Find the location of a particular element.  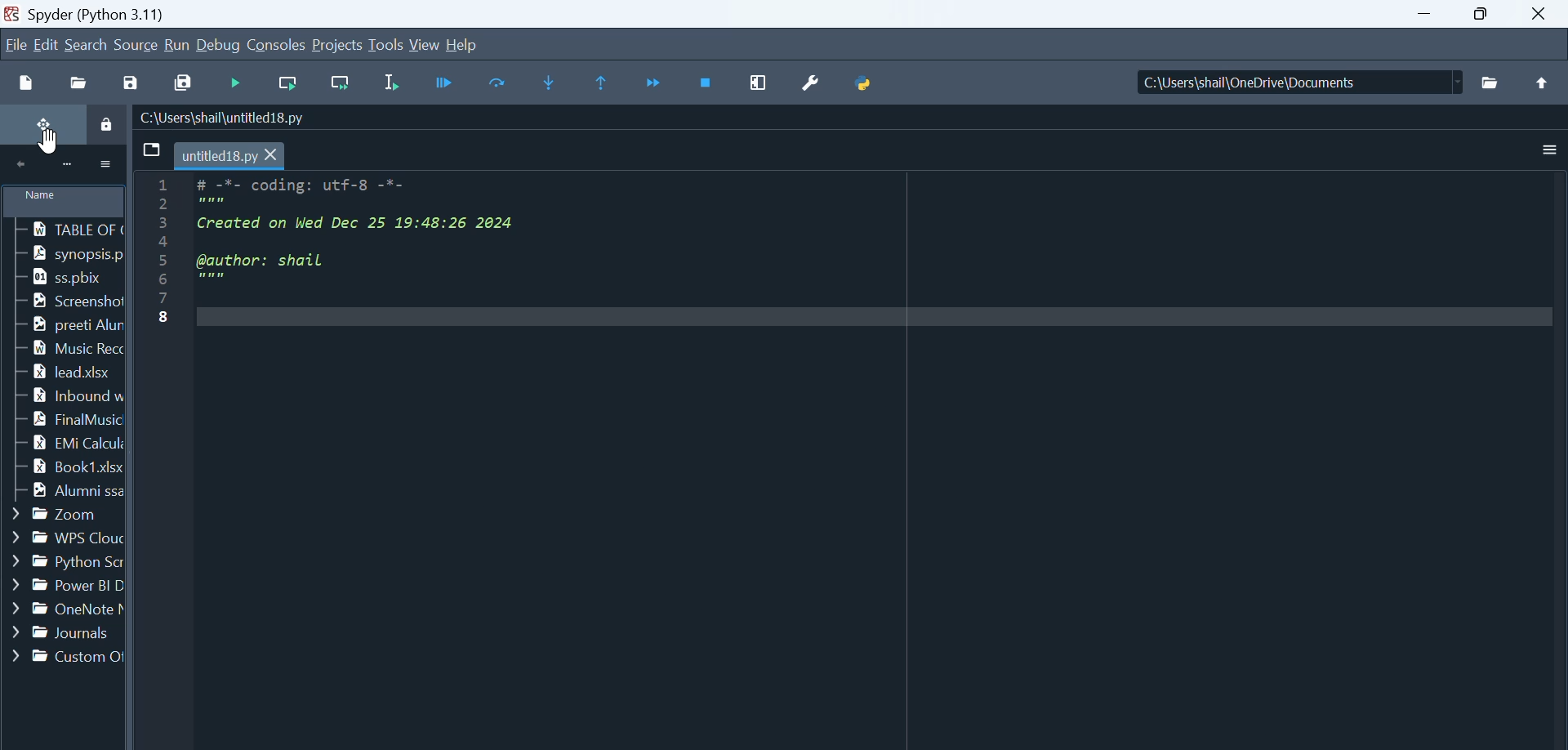

Continue execution until next function is located at coordinates (655, 84).